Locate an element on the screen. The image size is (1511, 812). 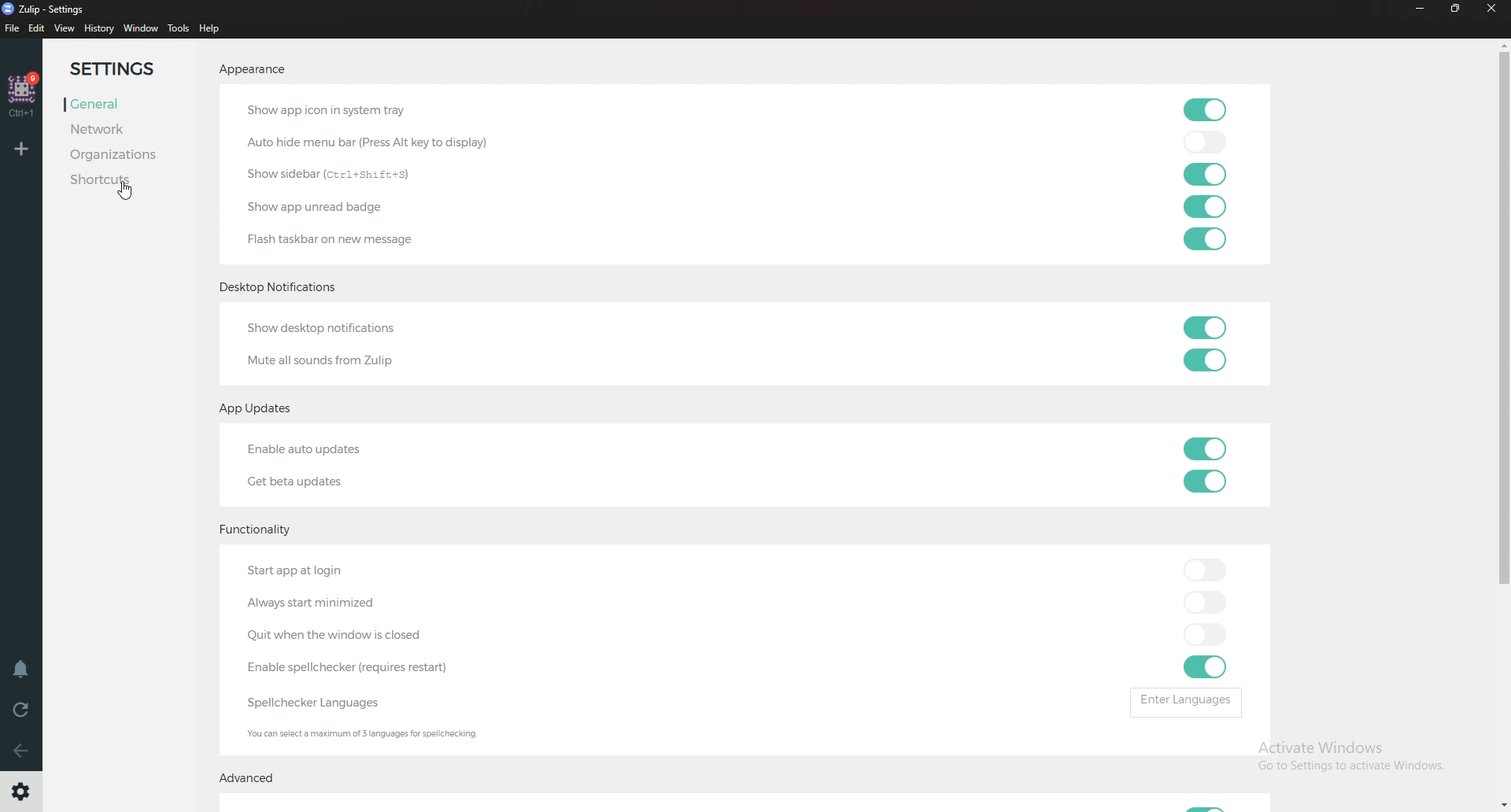
toggle is located at coordinates (1204, 109).